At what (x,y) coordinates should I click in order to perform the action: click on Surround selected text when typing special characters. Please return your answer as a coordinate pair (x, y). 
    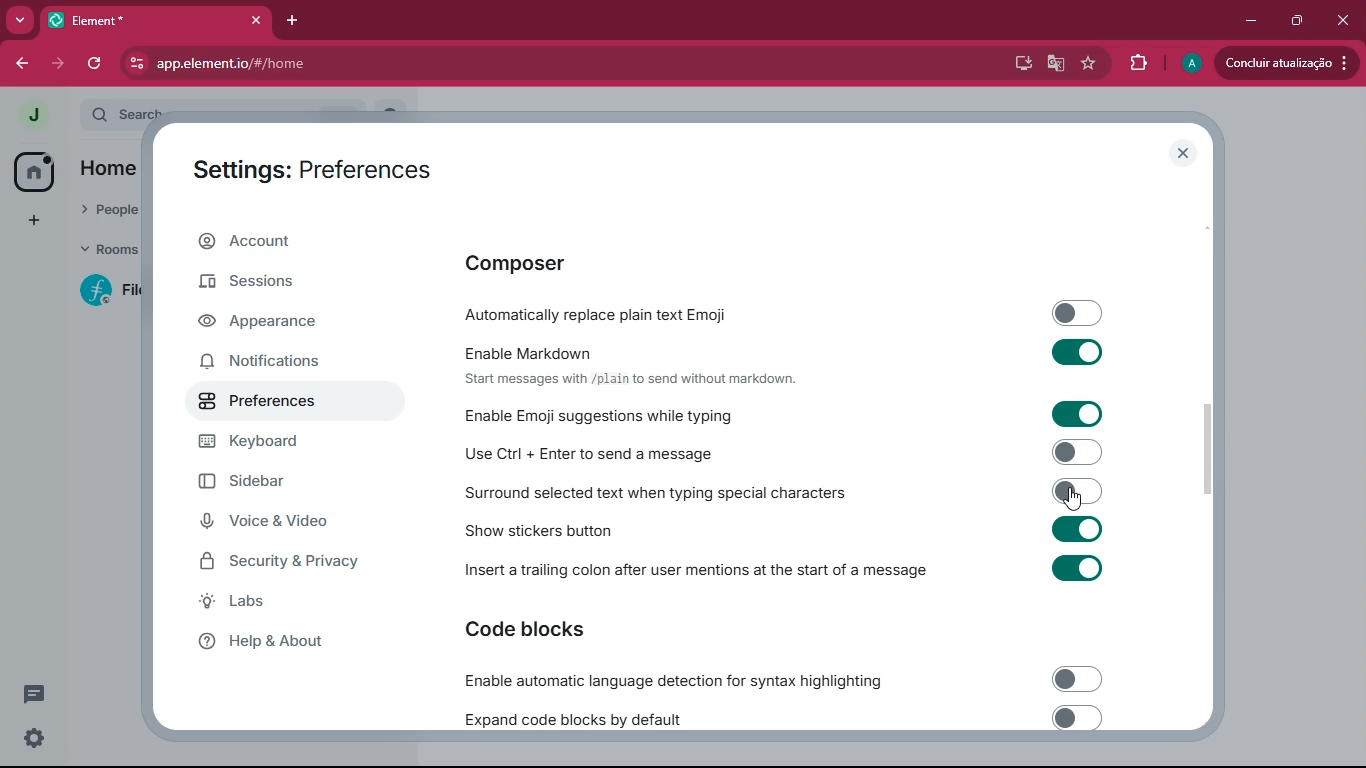
    Looking at the image, I should click on (781, 491).